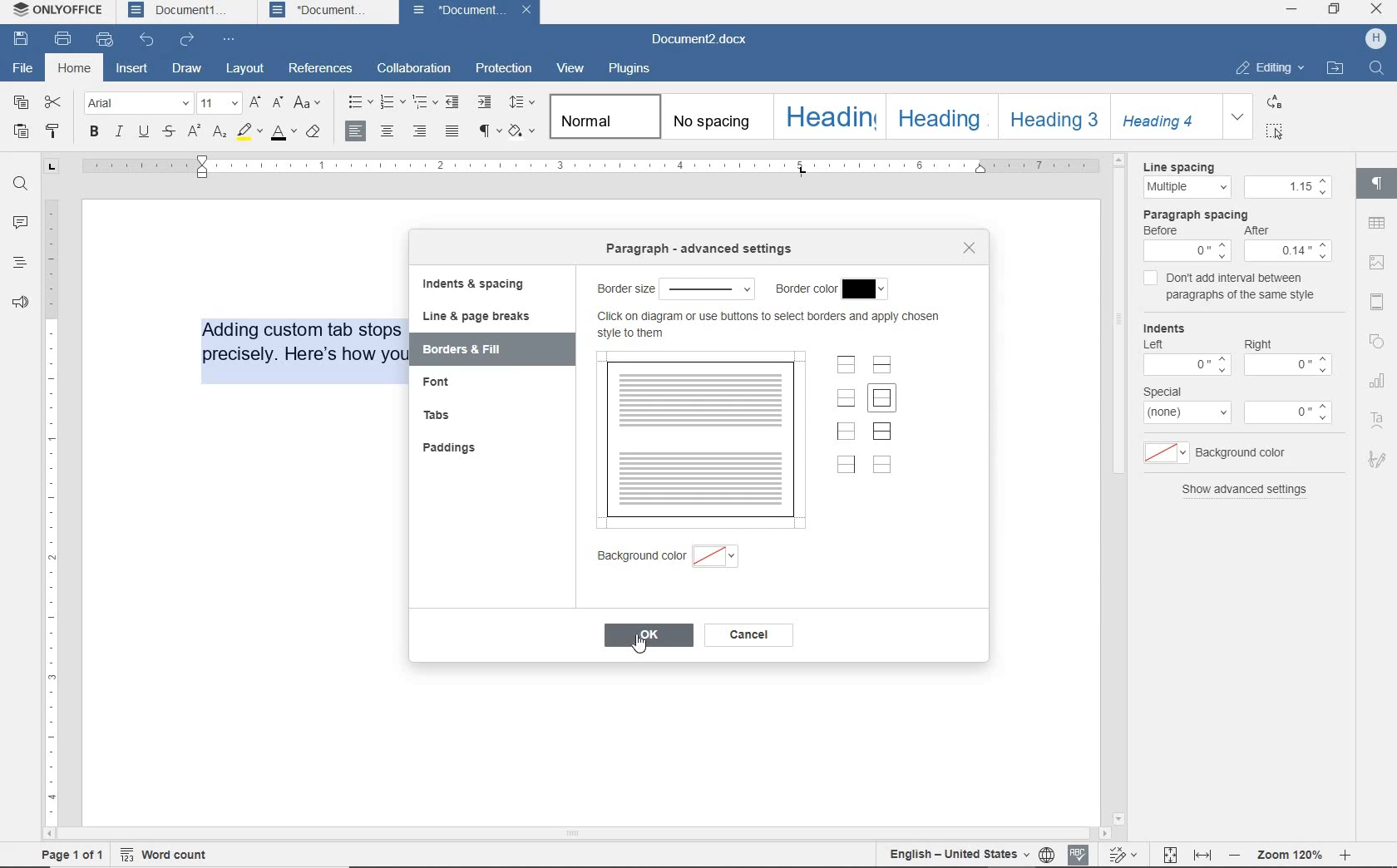 Image resolution: width=1397 pixels, height=868 pixels. What do you see at coordinates (105, 40) in the screenshot?
I see `quick print` at bounding box center [105, 40].